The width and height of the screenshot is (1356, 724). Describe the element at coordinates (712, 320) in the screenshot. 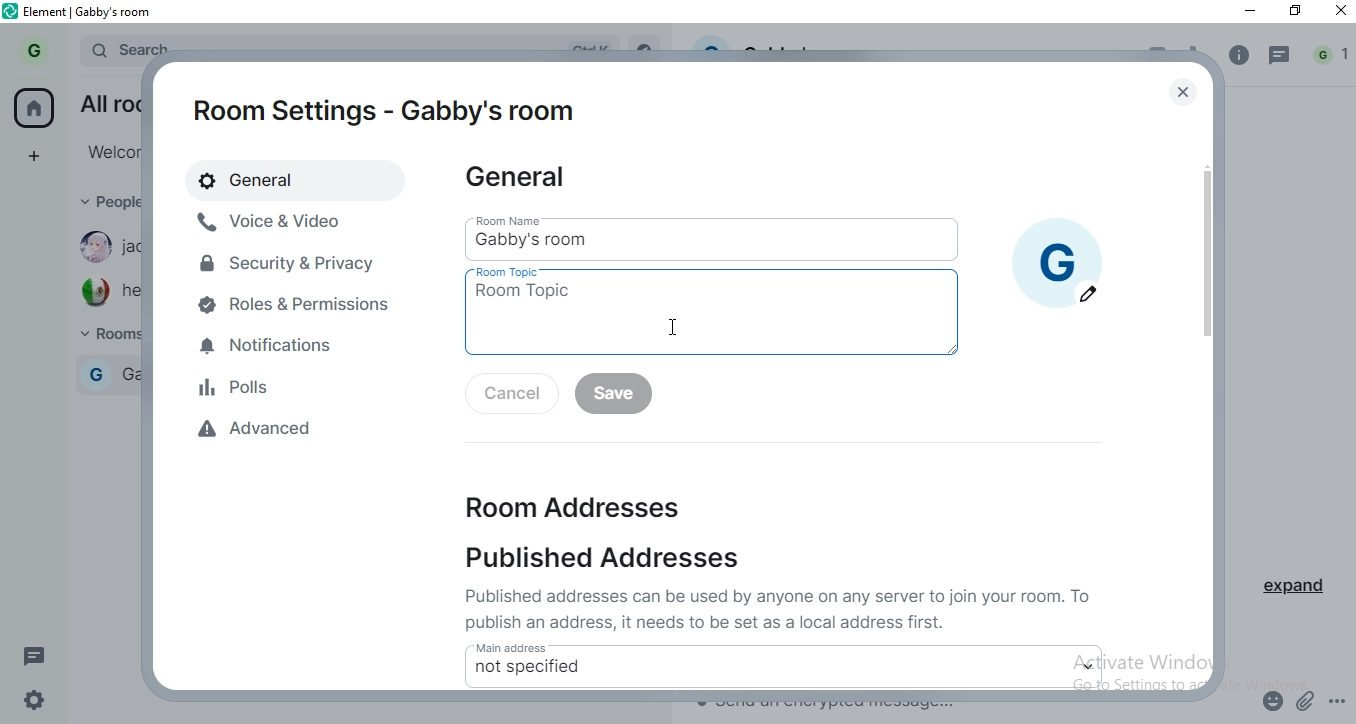

I see `room topic selected` at that location.